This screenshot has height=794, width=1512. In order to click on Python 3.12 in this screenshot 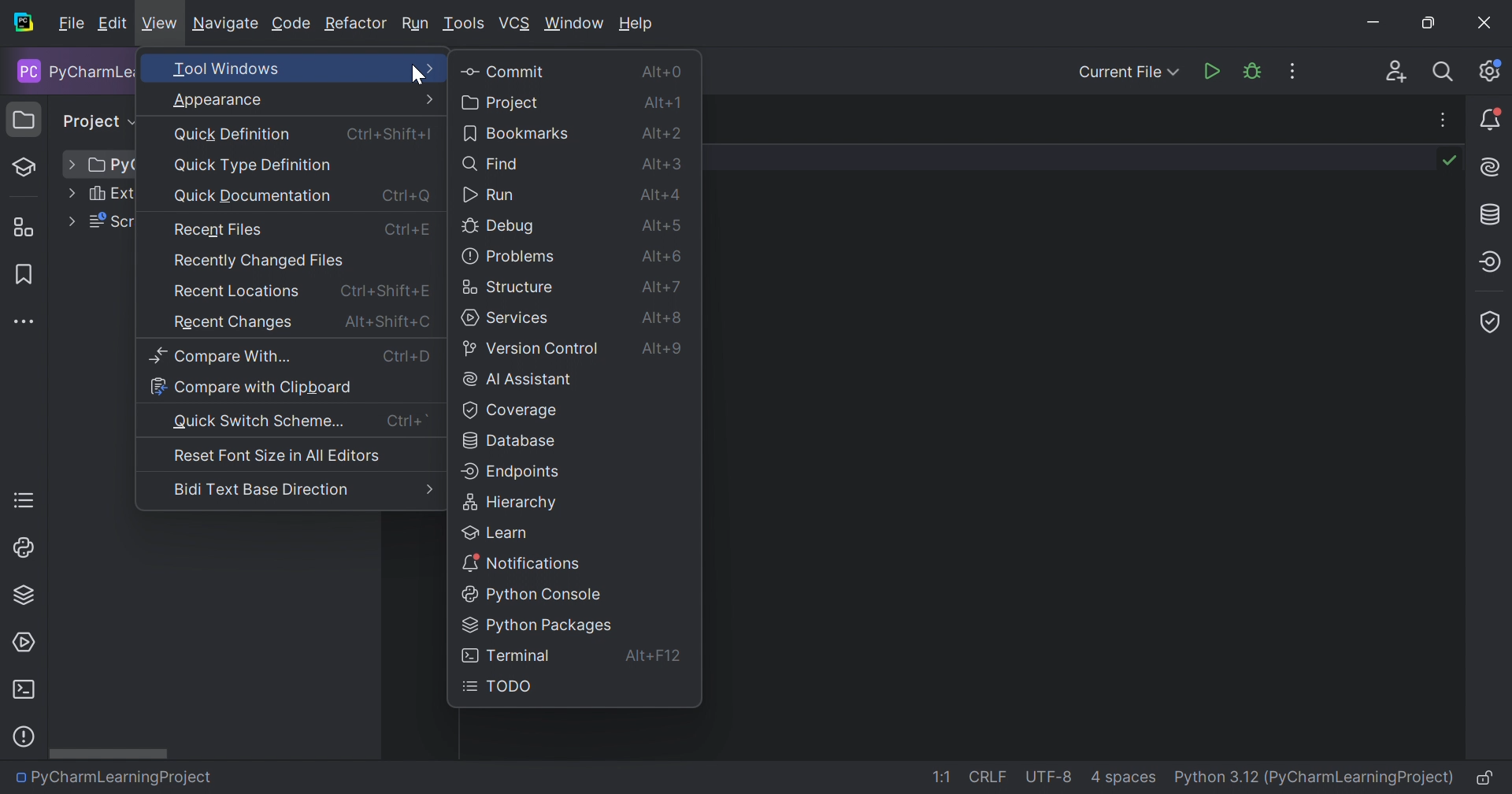, I will do `click(1214, 778)`.